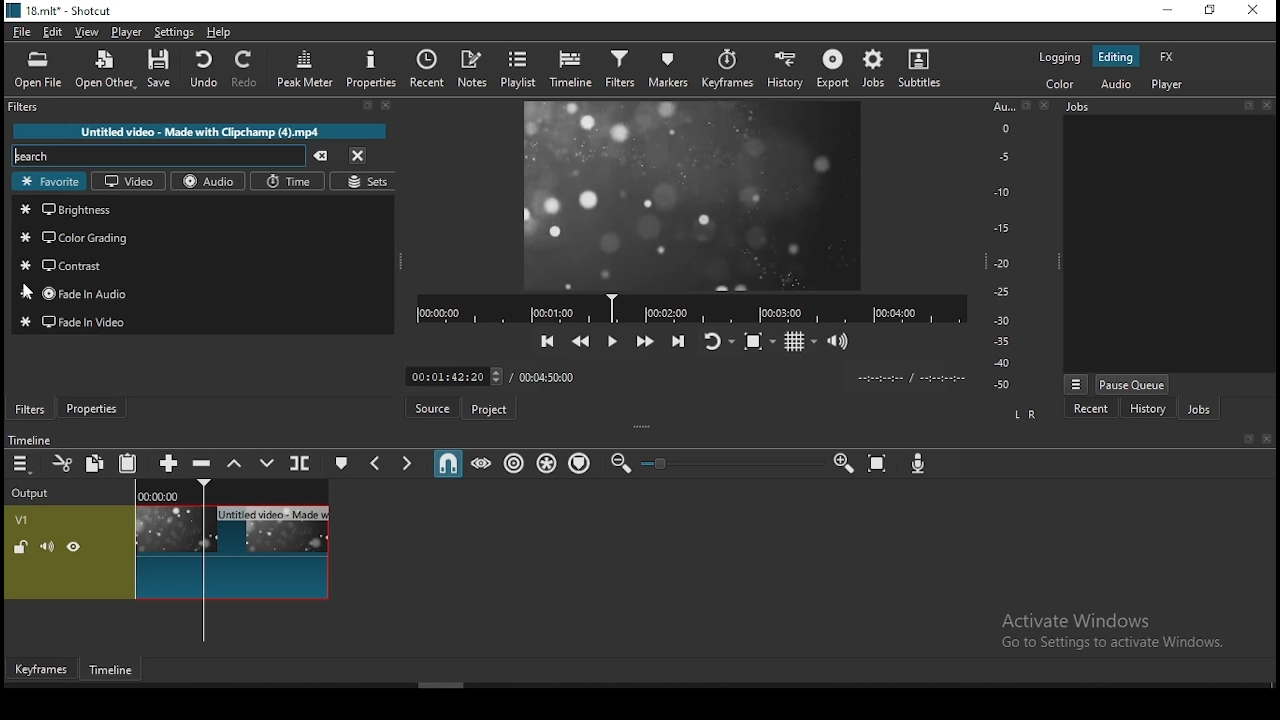 The image size is (1280, 720). What do you see at coordinates (1045, 104) in the screenshot?
I see `Close` at bounding box center [1045, 104].